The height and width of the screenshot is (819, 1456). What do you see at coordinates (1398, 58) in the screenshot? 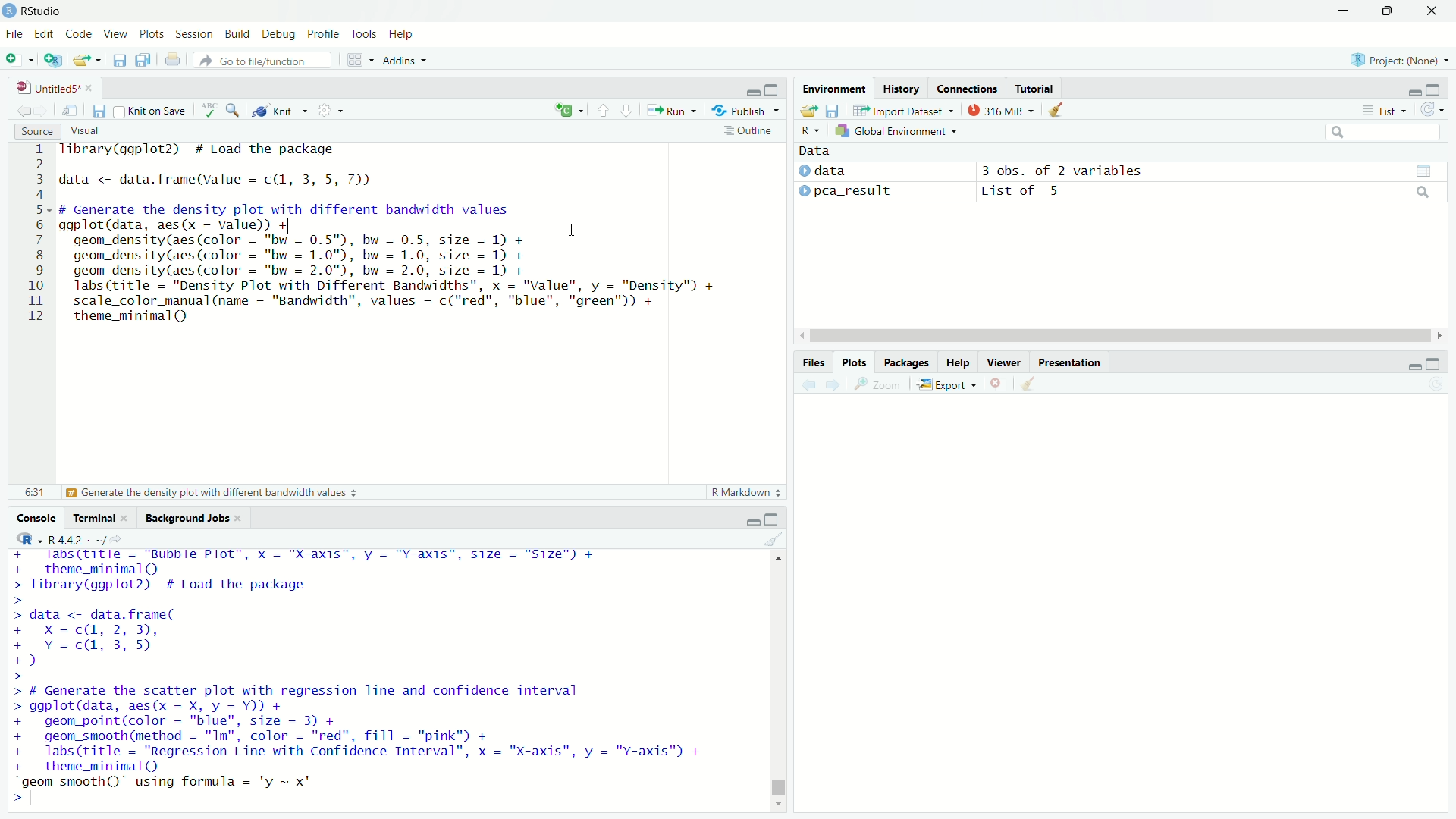
I see `Project: (None)` at bounding box center [1398, 58].